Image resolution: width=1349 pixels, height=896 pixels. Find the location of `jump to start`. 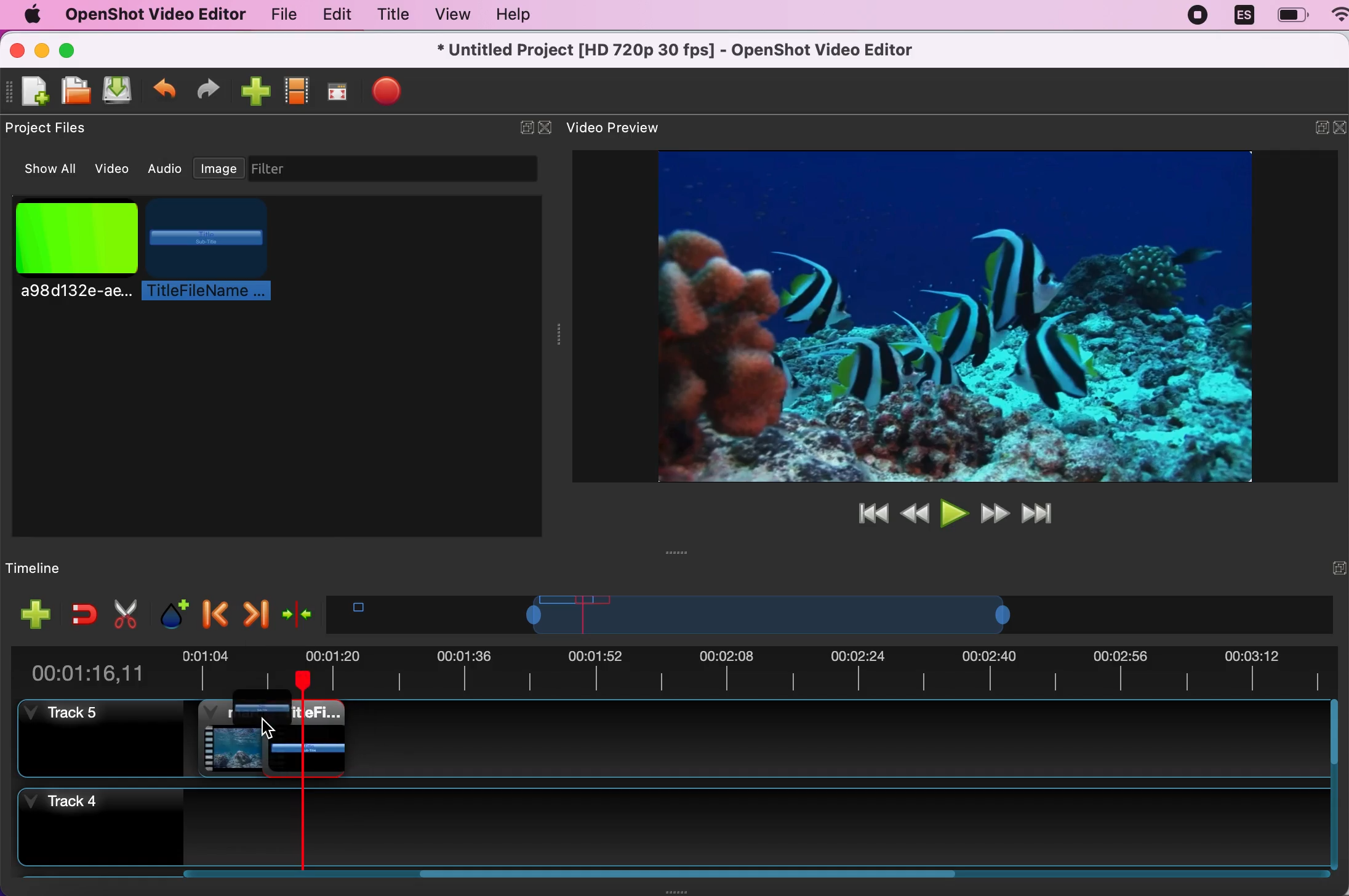

jump to start is located at coordinates (869, 513).